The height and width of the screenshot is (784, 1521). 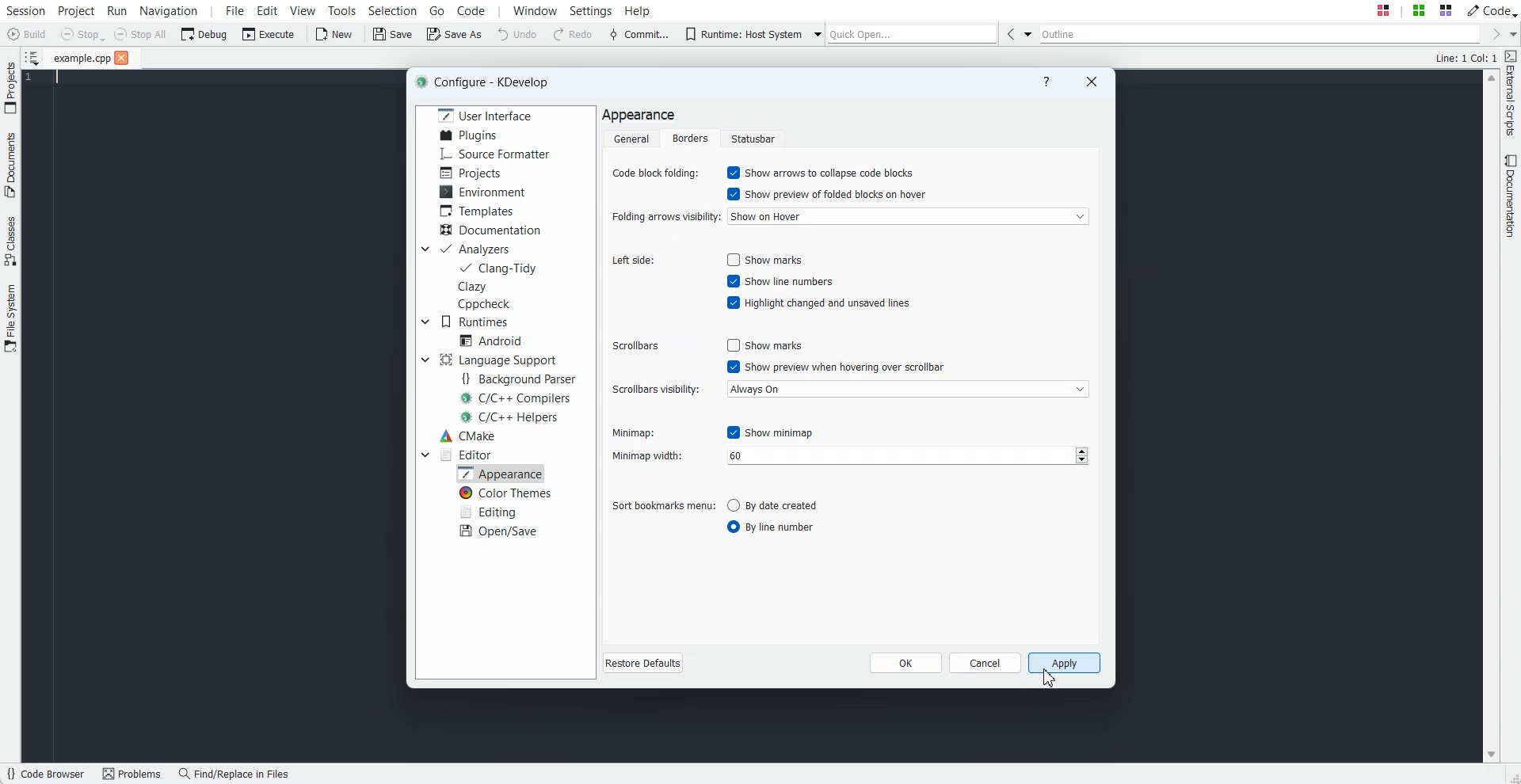 I want to click on Text, so click(x=639, y=116).